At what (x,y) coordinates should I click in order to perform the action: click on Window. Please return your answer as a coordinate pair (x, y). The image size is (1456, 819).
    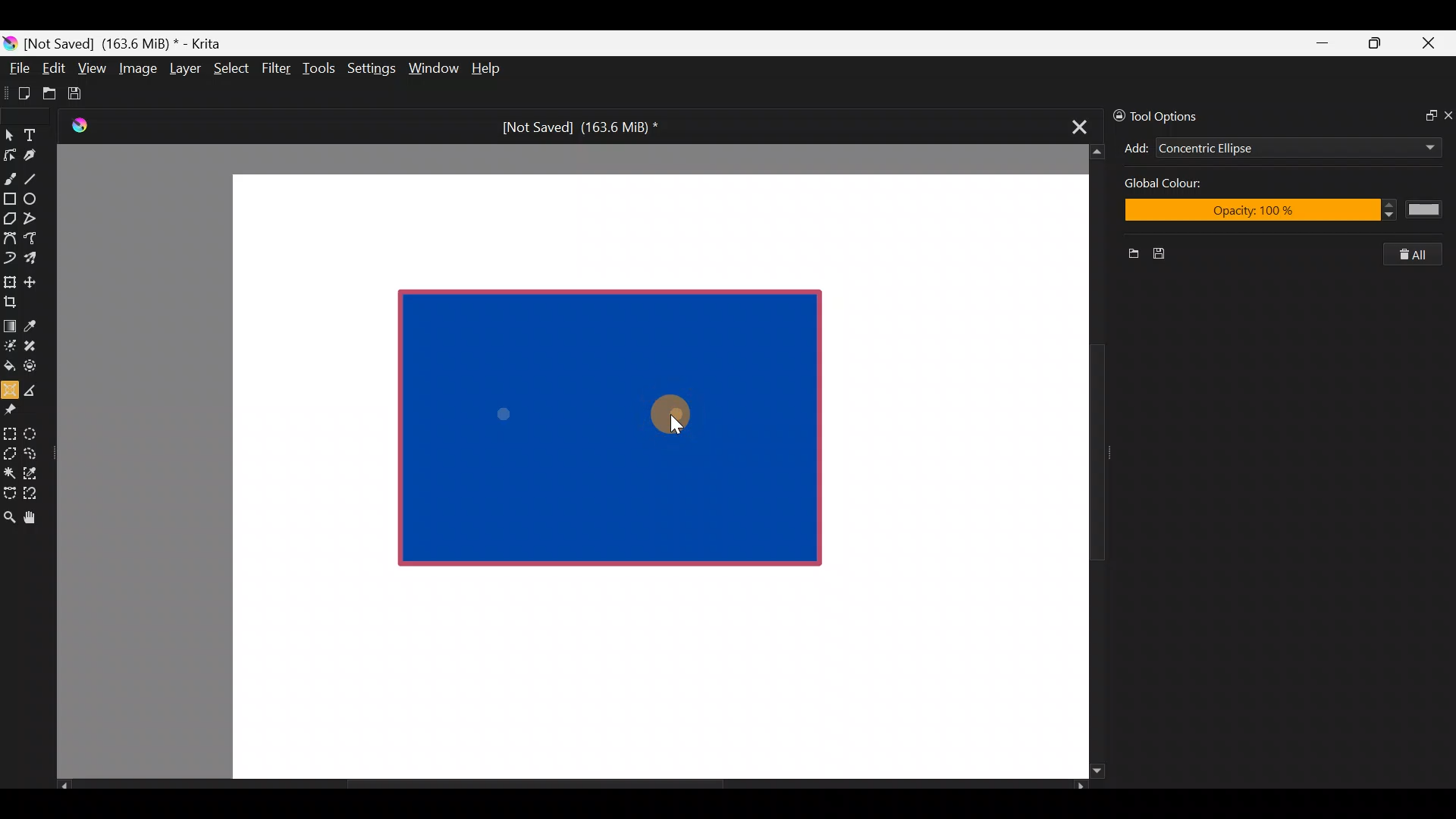
    Looking at the image, I should click on (433, 70).